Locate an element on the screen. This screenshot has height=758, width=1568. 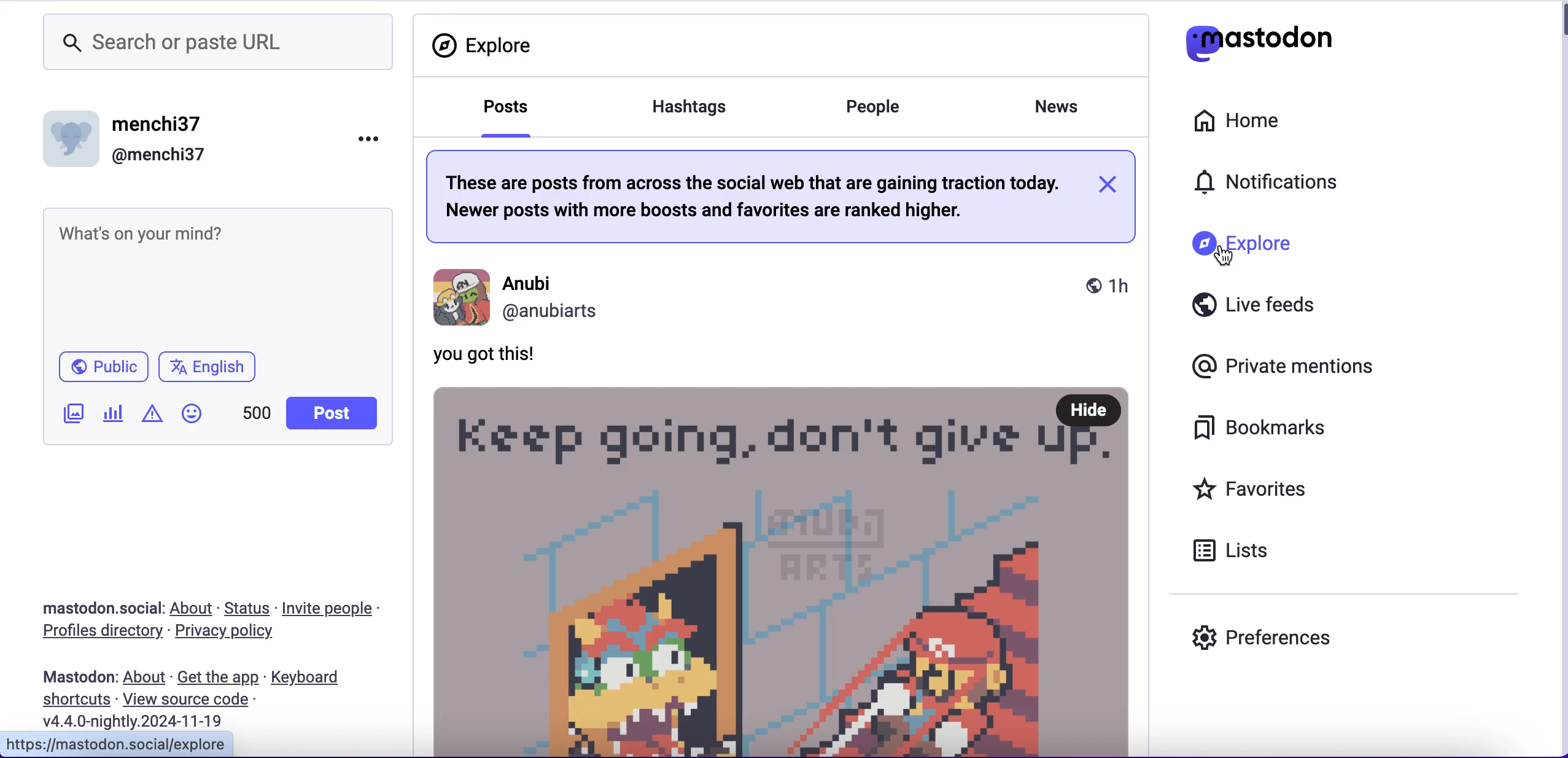
add warning is located at coordinates (154, 413).